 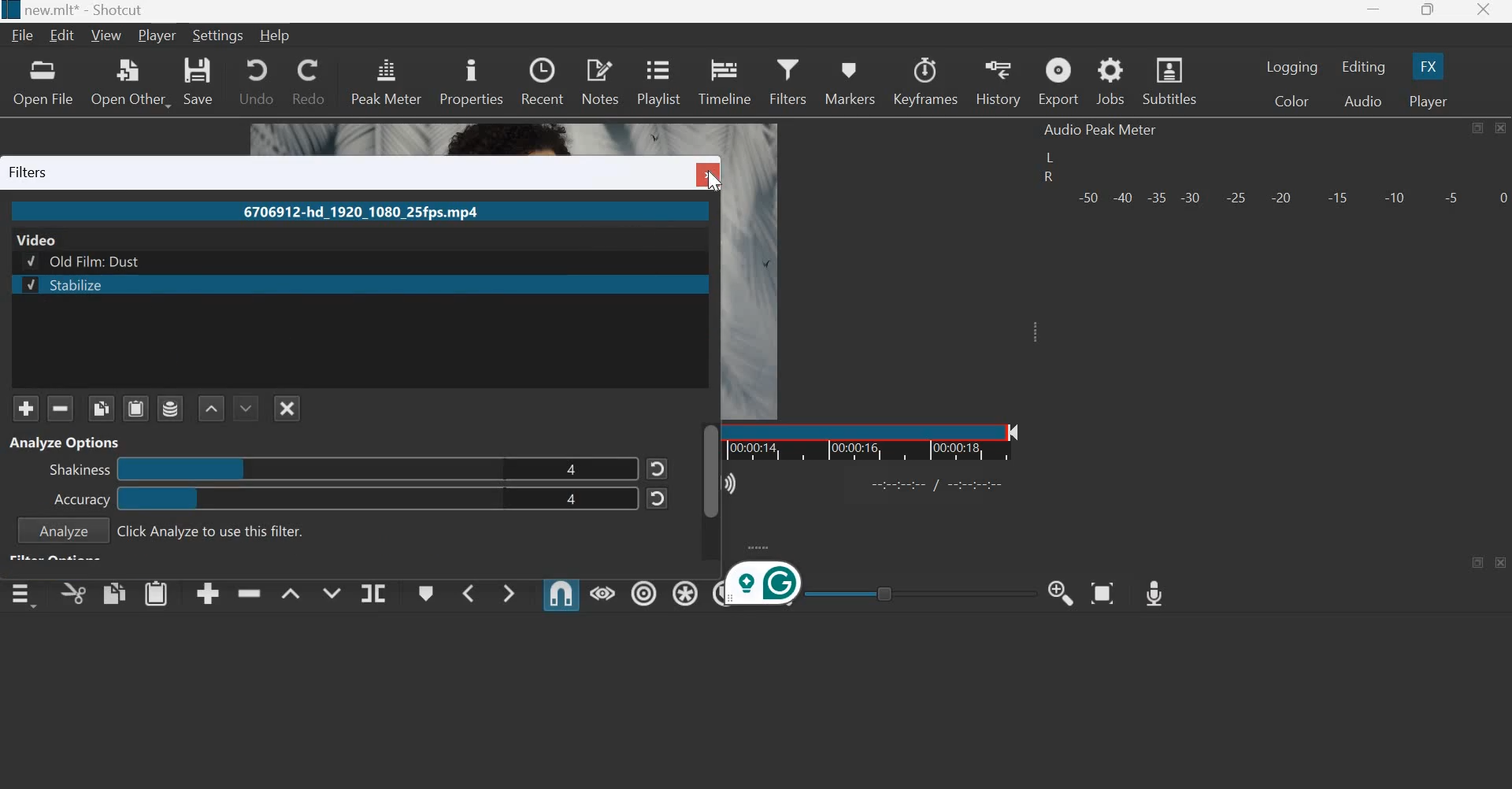 I want to click on Video, so click(x=39, y=239).